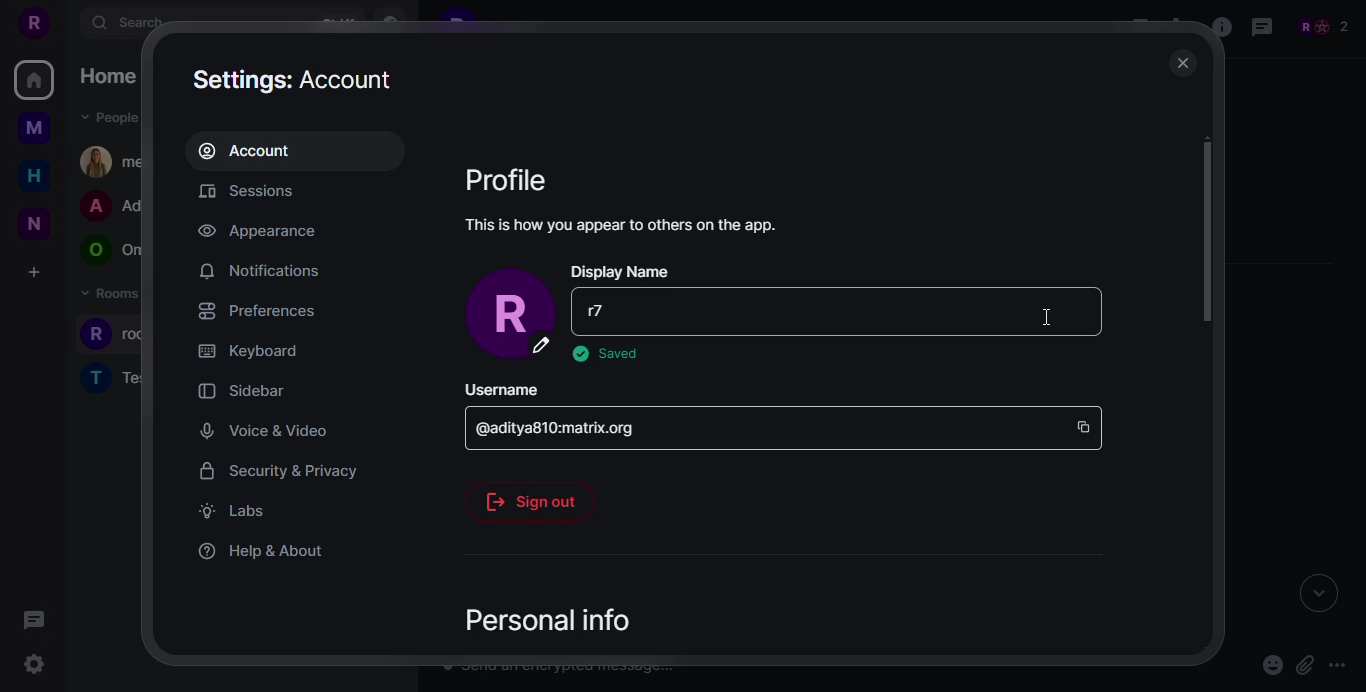 The height and width of the screenshot is (692, 1366). I want to click on voice, so click(263, 429).